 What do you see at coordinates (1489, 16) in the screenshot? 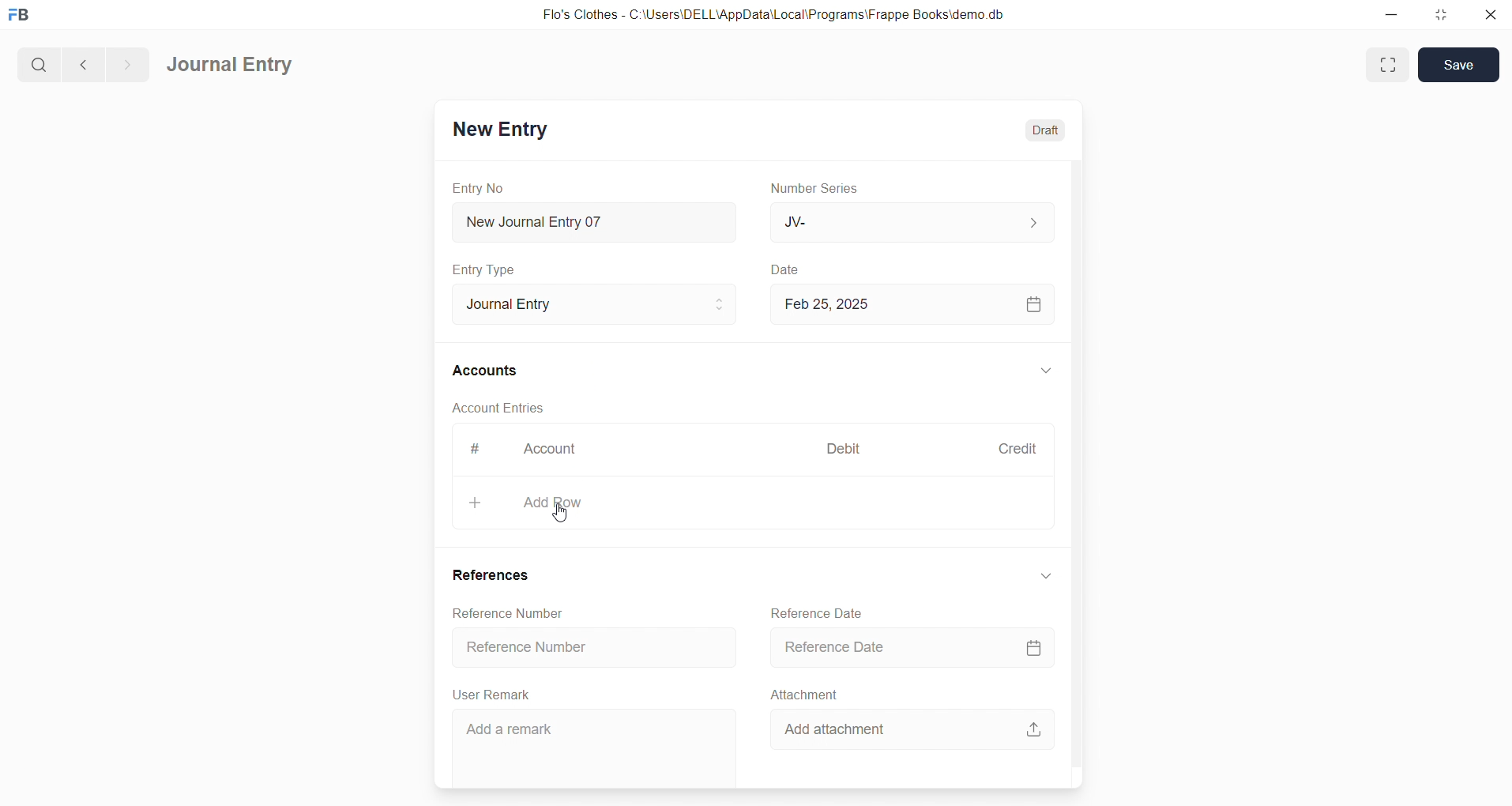
I see `close` at bounding box center [1489, 16].